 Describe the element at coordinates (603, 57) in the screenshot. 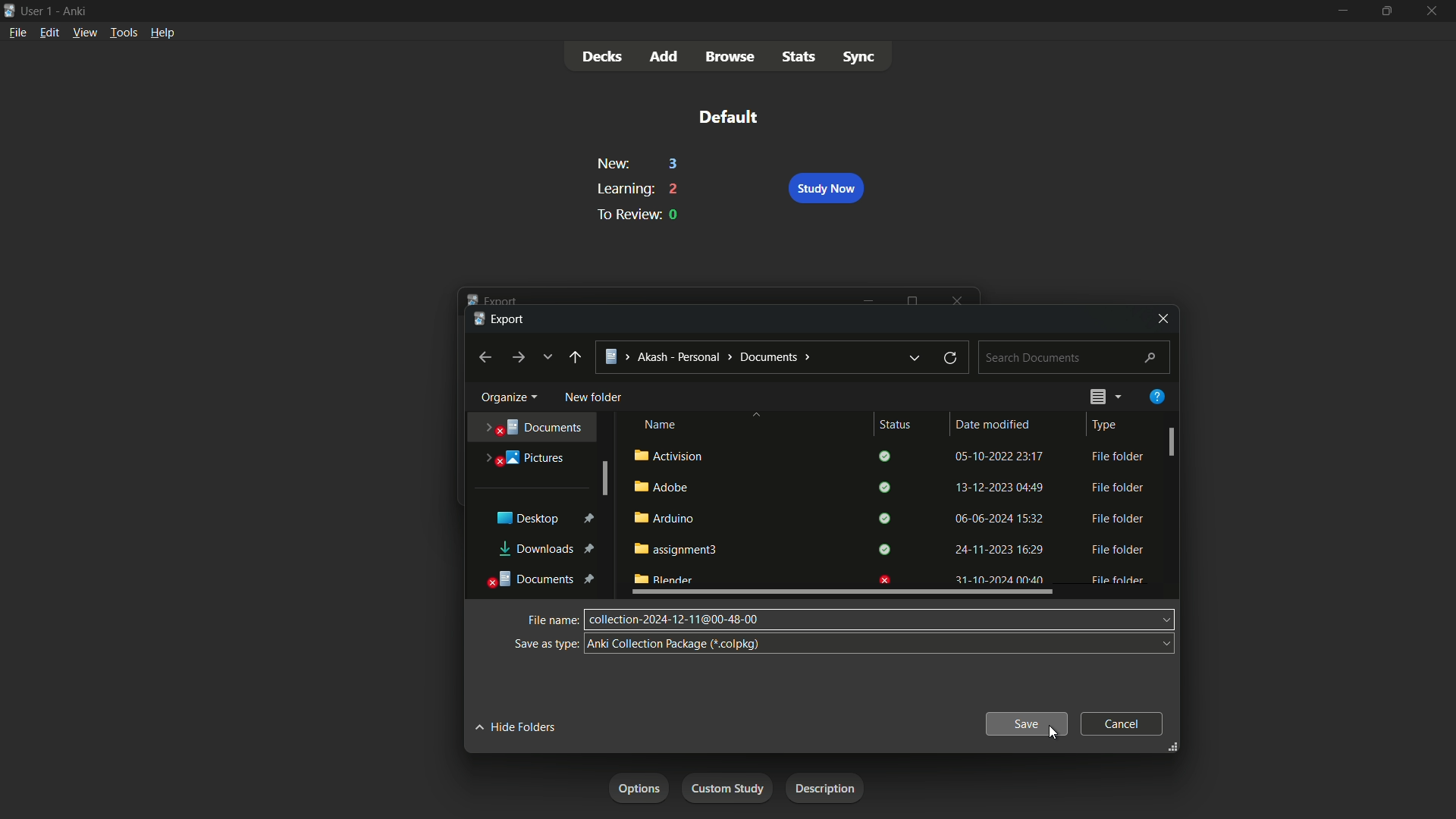

I see `decks` at that location.